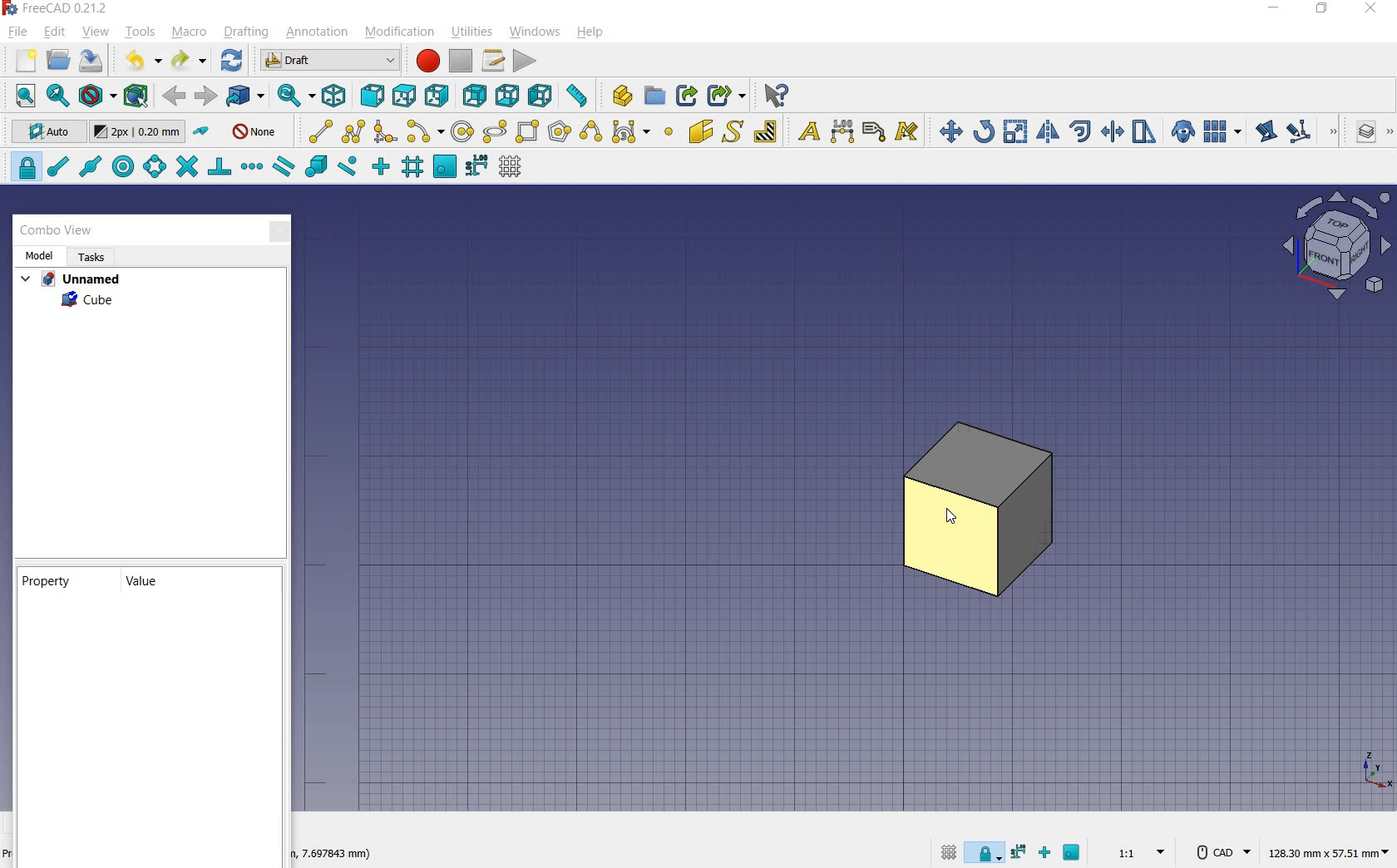 The width and height of the screenshot is (1397, 868). What do you see at coordinates (1073, 853) in the screenshot?
I see `snap working plane` at bounding box center [1073, 853].